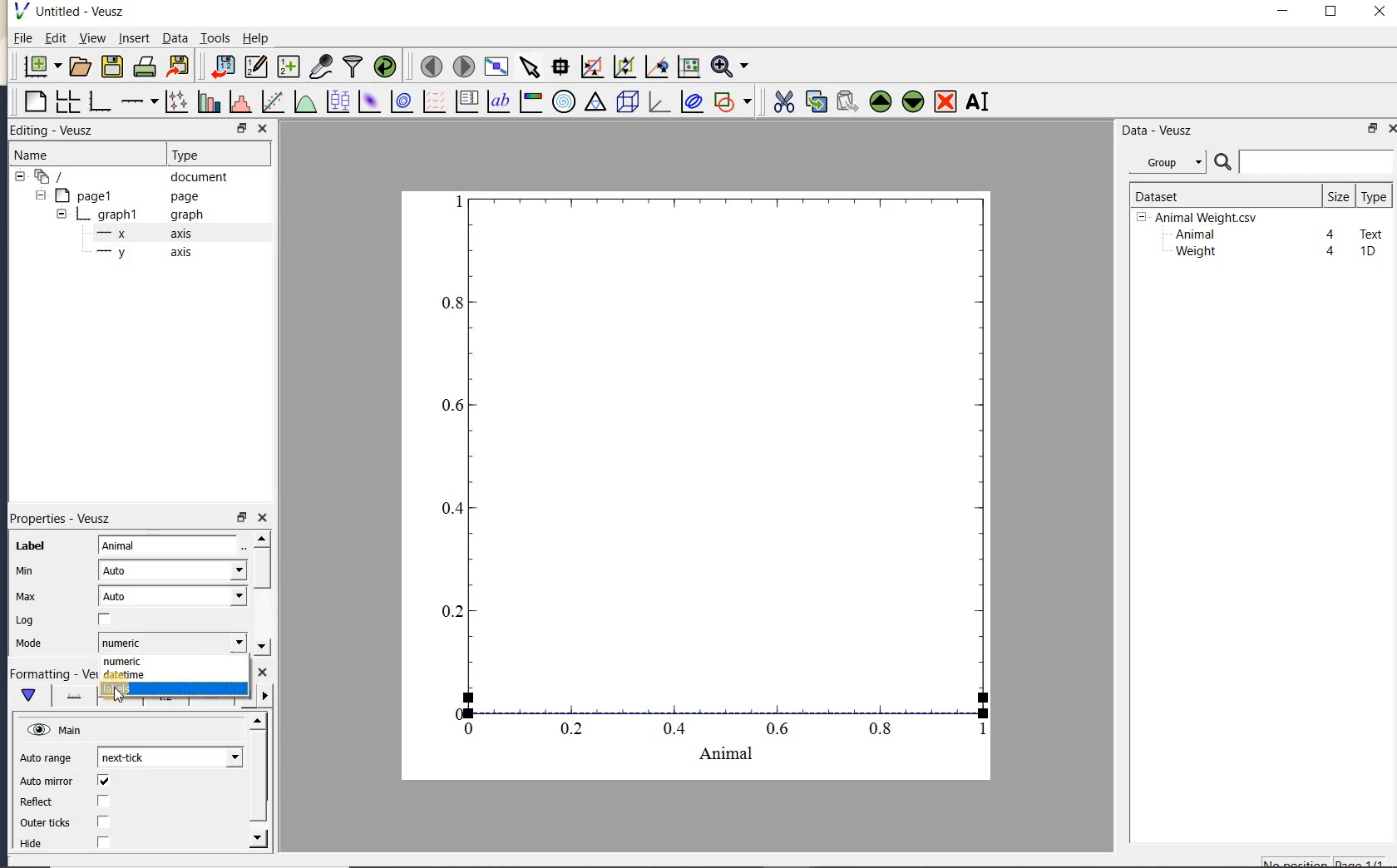 Image resolution: width=1397 pixels, height=868 pixels. Describe the element at coordinates (111, 67) in the screenshot. I see `save the document` at that location.